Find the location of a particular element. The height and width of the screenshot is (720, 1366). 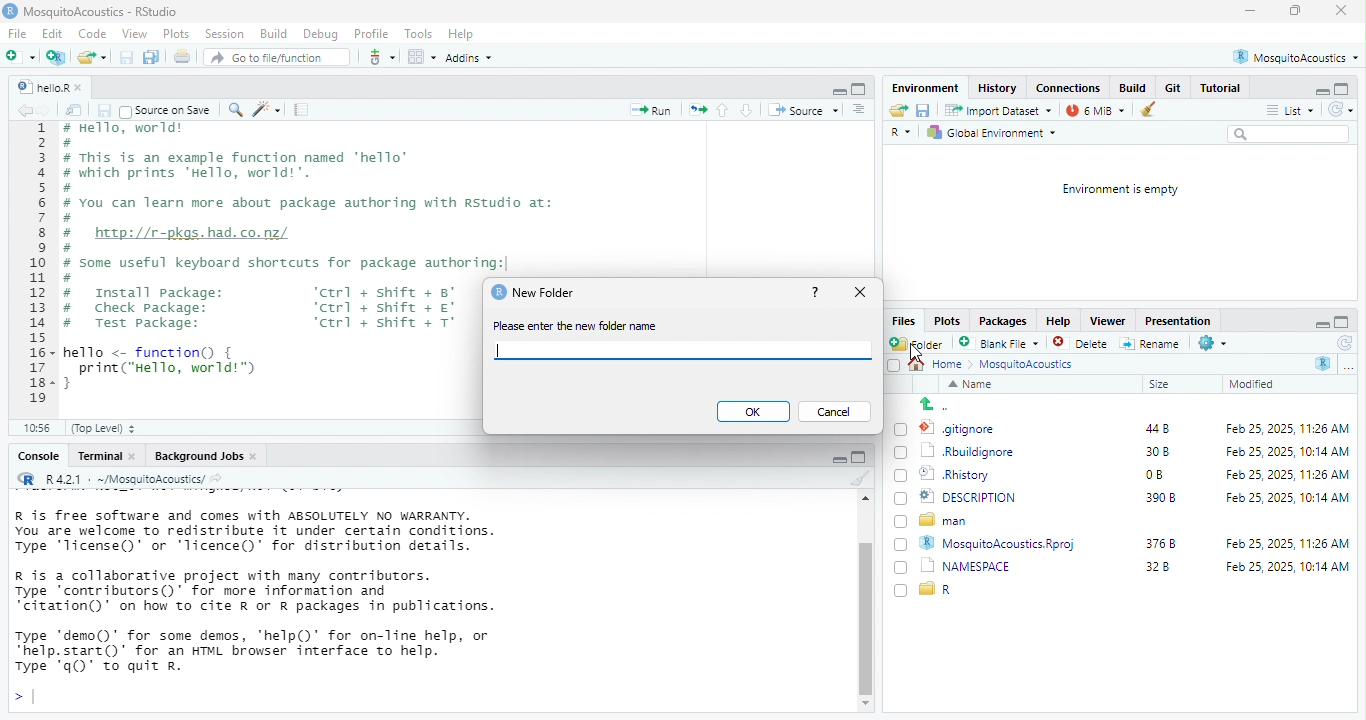

Feb 25,2025, 10:14 AM is located at coordinates (1289, 570).